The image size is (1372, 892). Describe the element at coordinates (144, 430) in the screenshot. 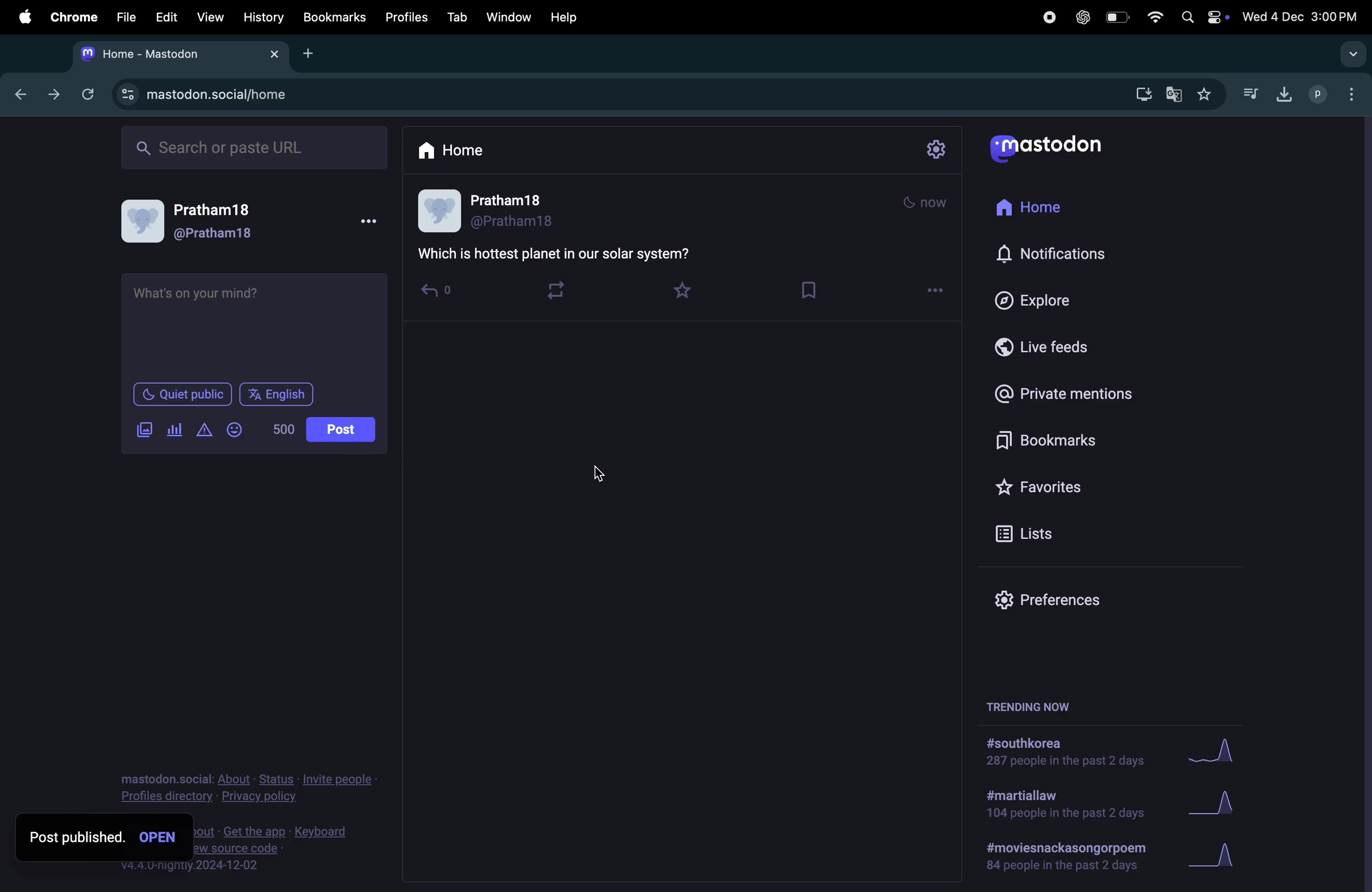

I see `images` at that location.